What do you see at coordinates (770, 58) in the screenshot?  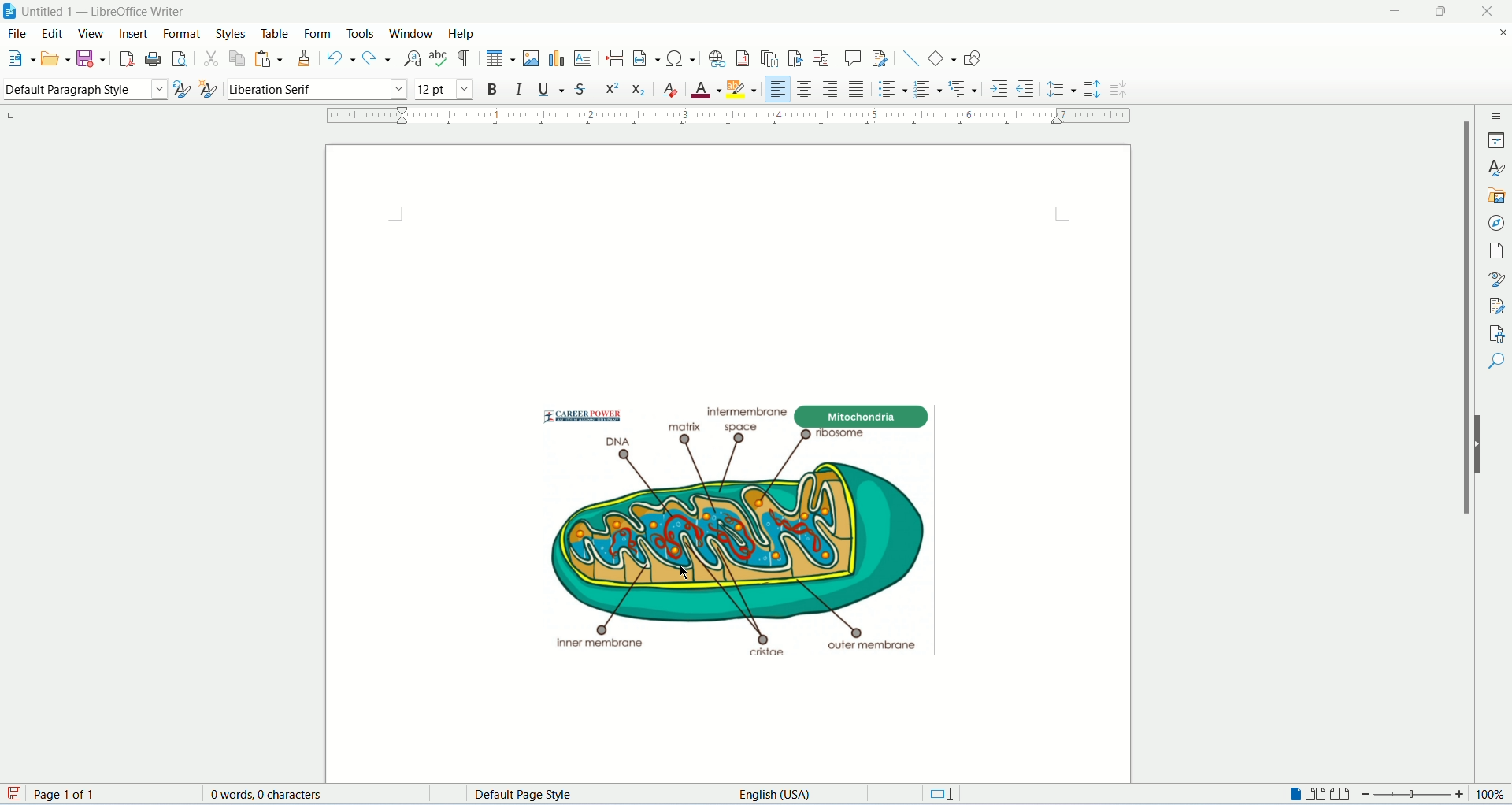 I see `insert endnote` at bounding box center [770, 58].